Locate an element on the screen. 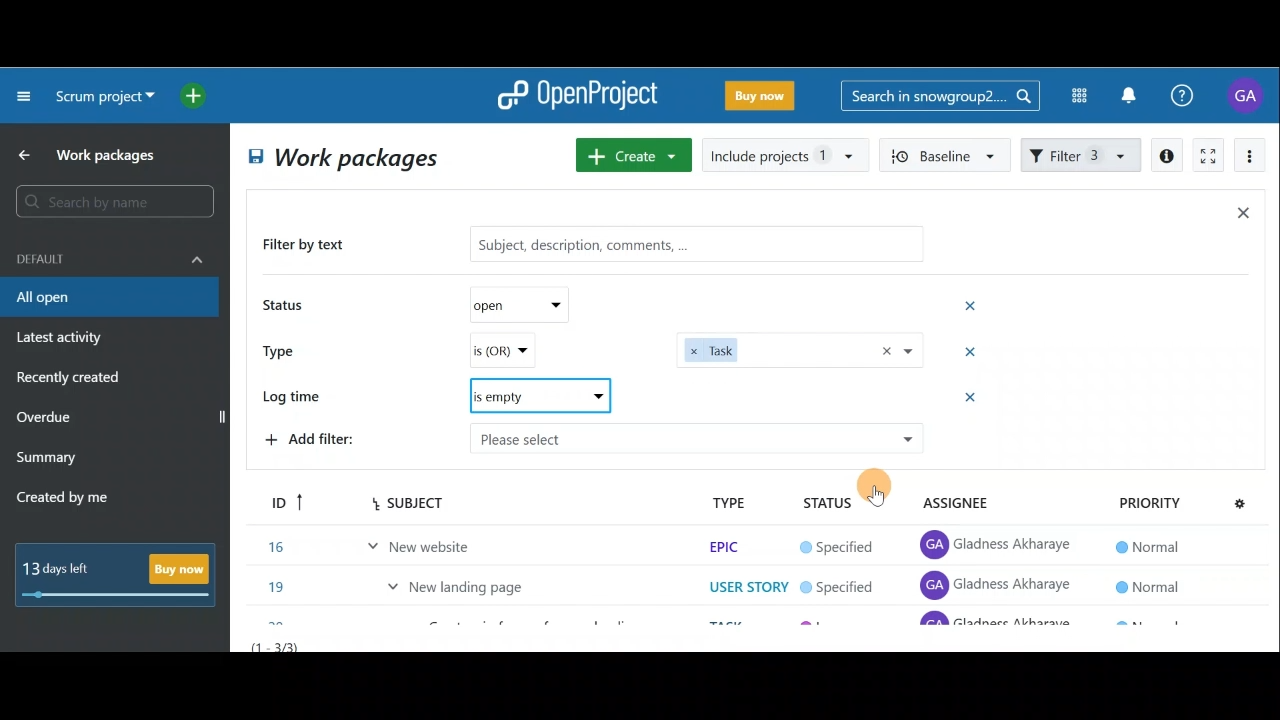 The width and height of the screenshot is (1280, 720). add filtert is located at coordinates (330, 437).